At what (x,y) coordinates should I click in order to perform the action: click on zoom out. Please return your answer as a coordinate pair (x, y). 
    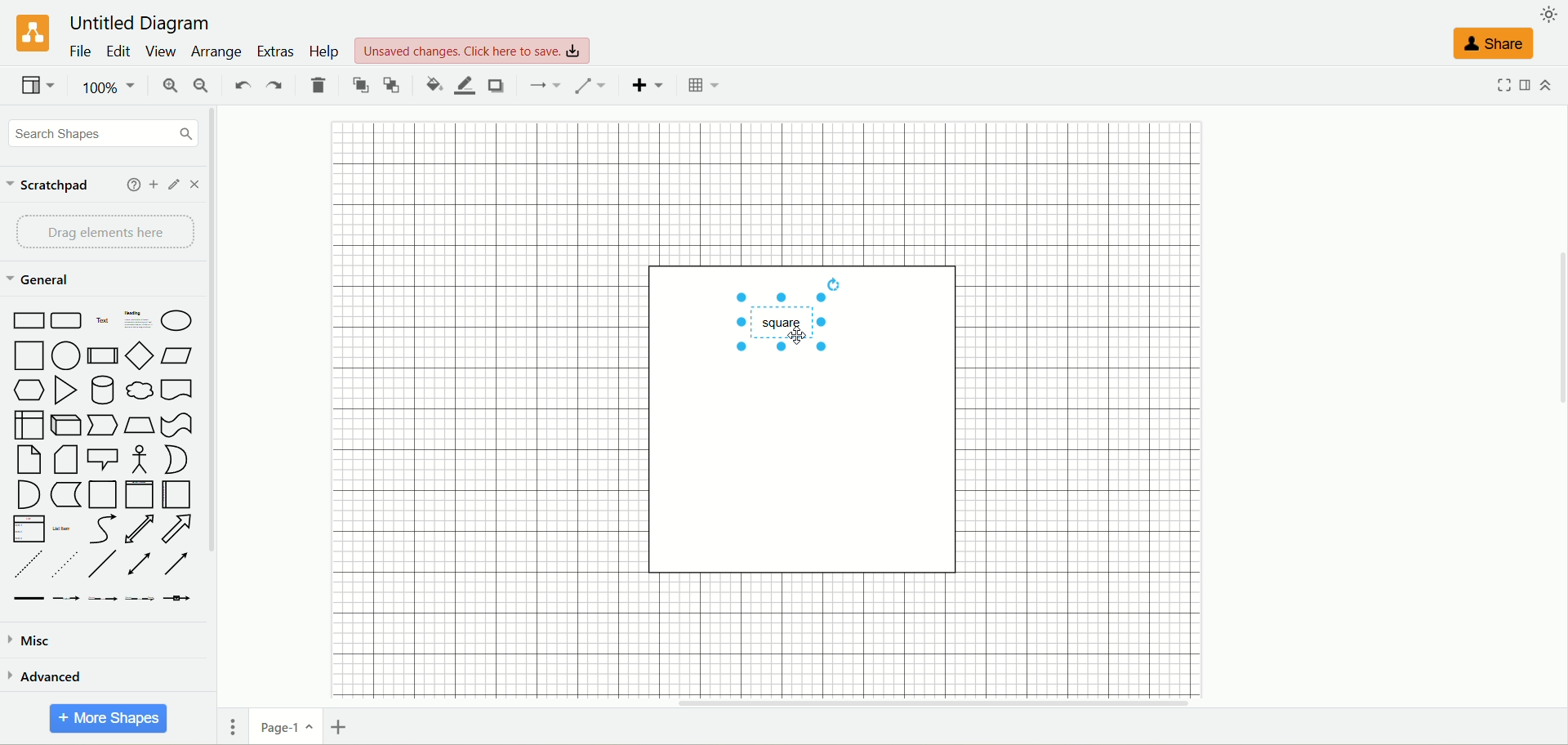
    Looking at the image, I should click on (203, 85).